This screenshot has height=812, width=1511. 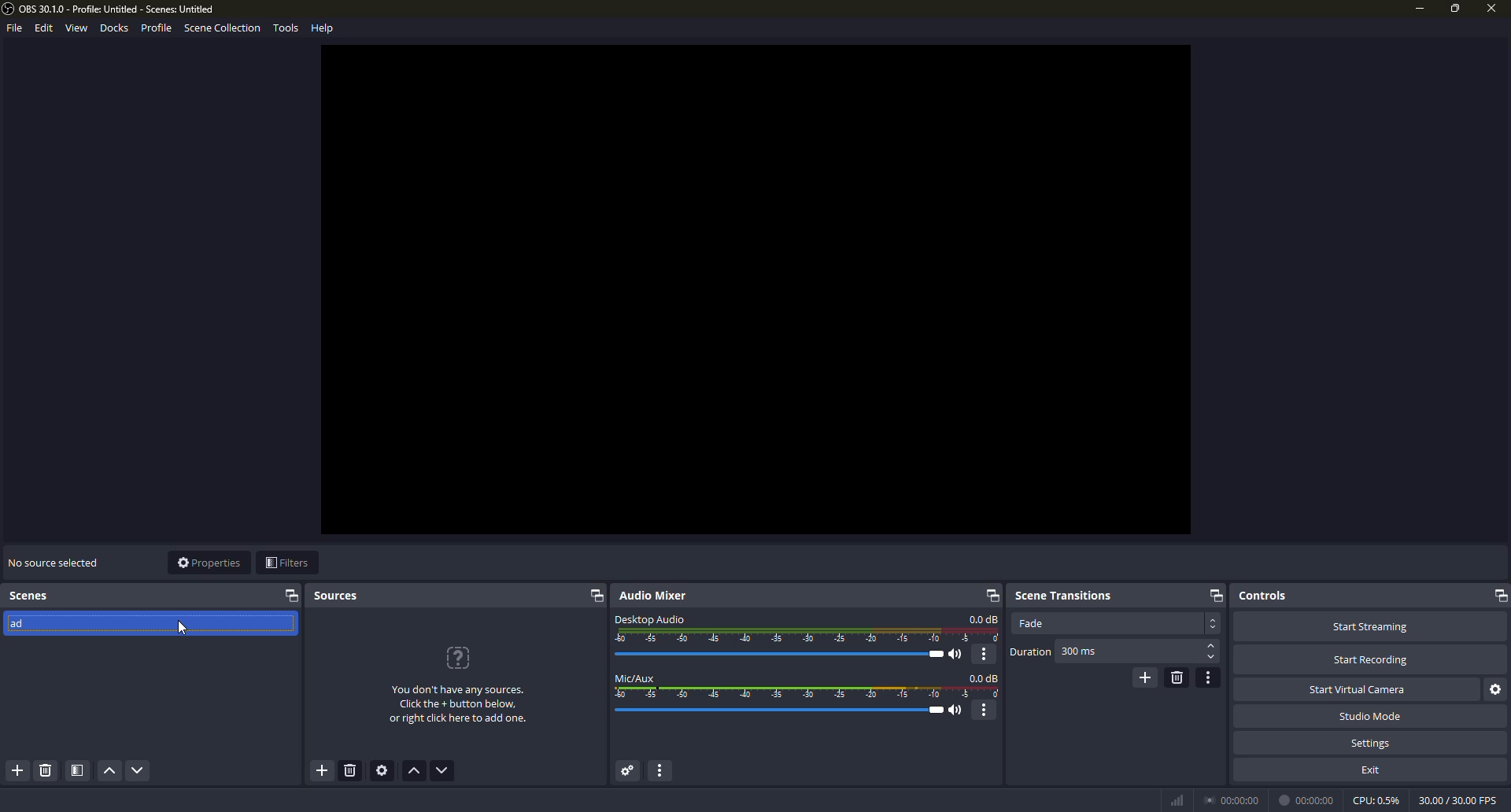 I want to click on minimize, so click(x=1418, y=9).